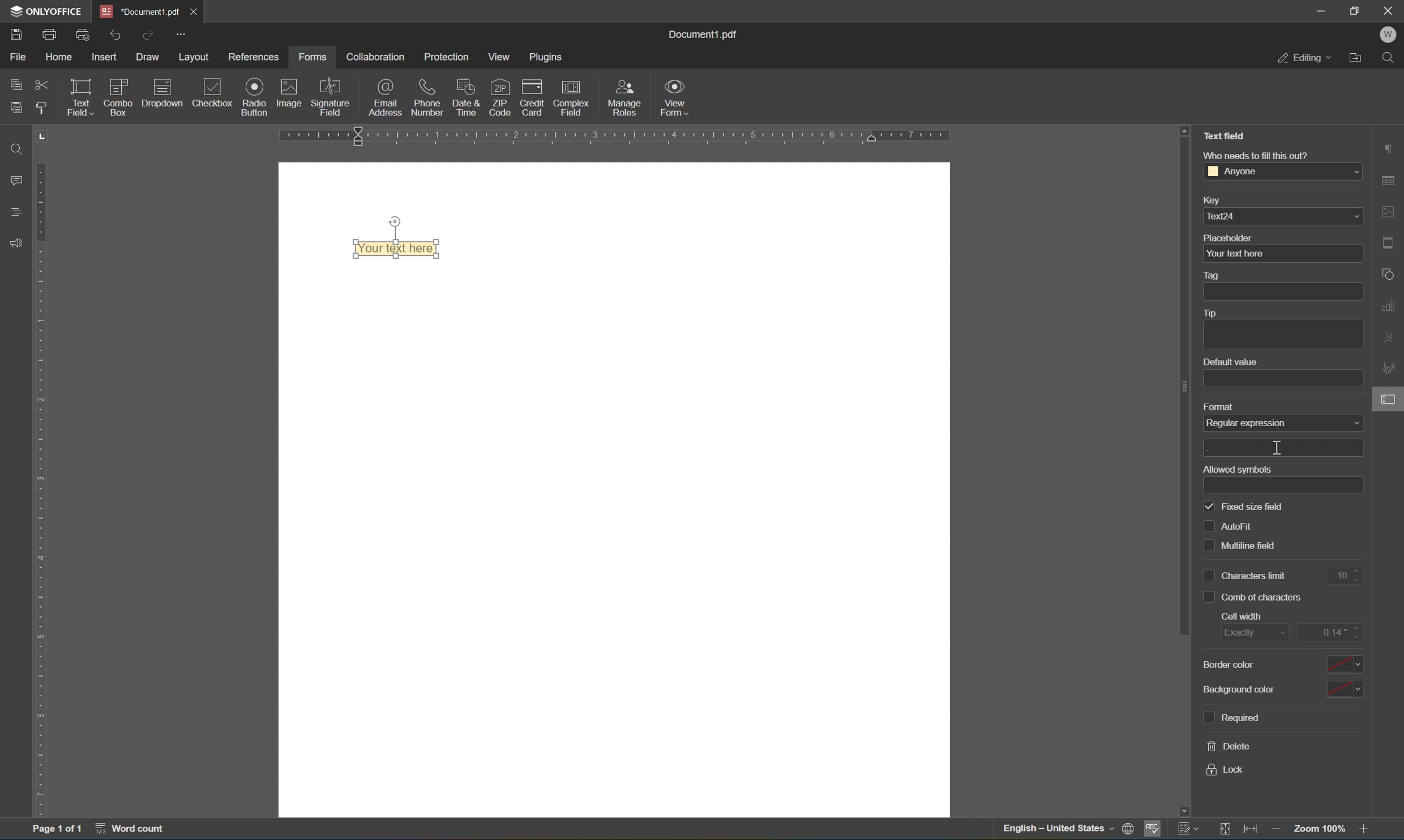  I want to click on comment, so click(14, 180).